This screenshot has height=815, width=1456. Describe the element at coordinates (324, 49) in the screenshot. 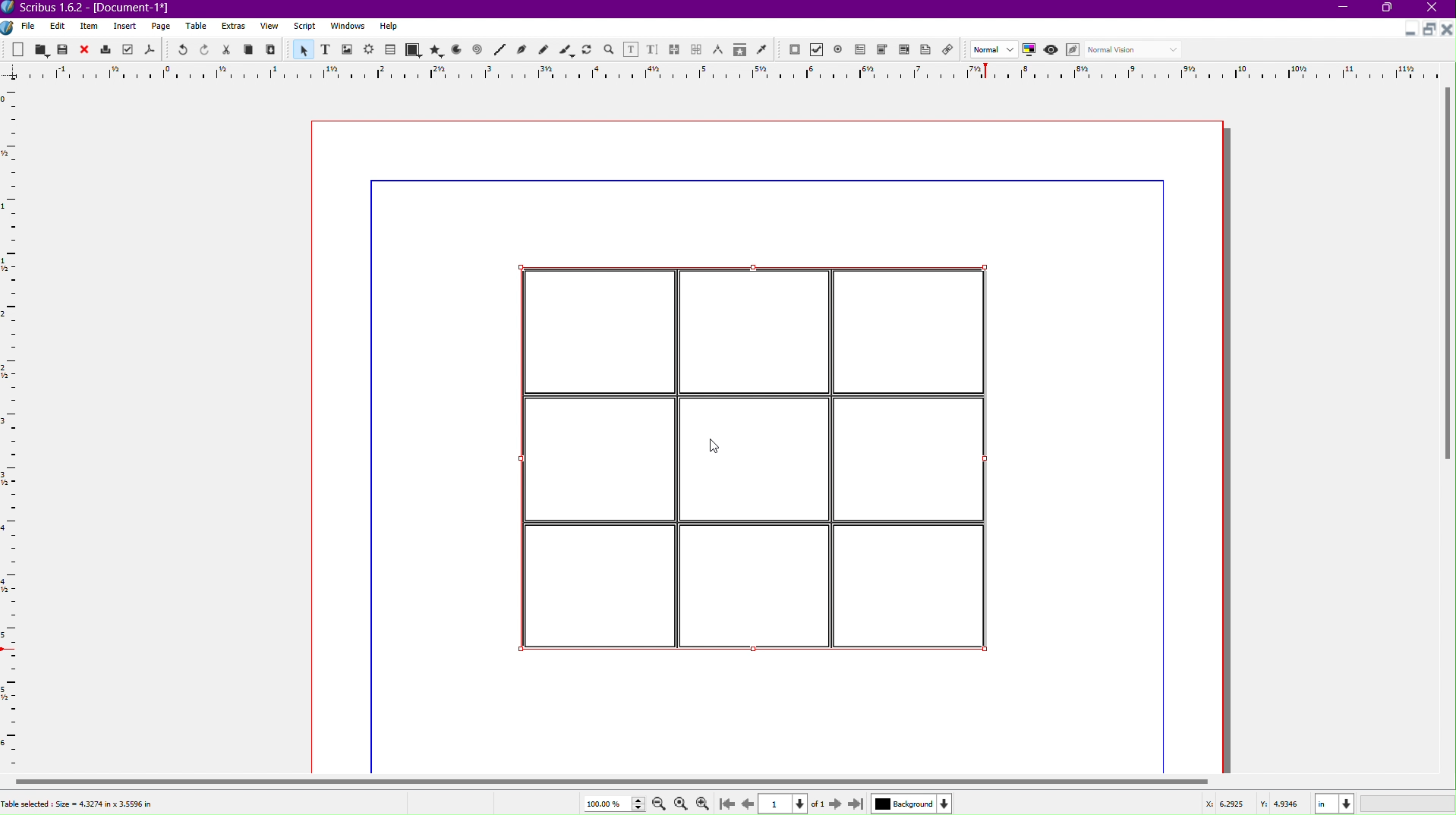

I see `Text Frame` at that location.